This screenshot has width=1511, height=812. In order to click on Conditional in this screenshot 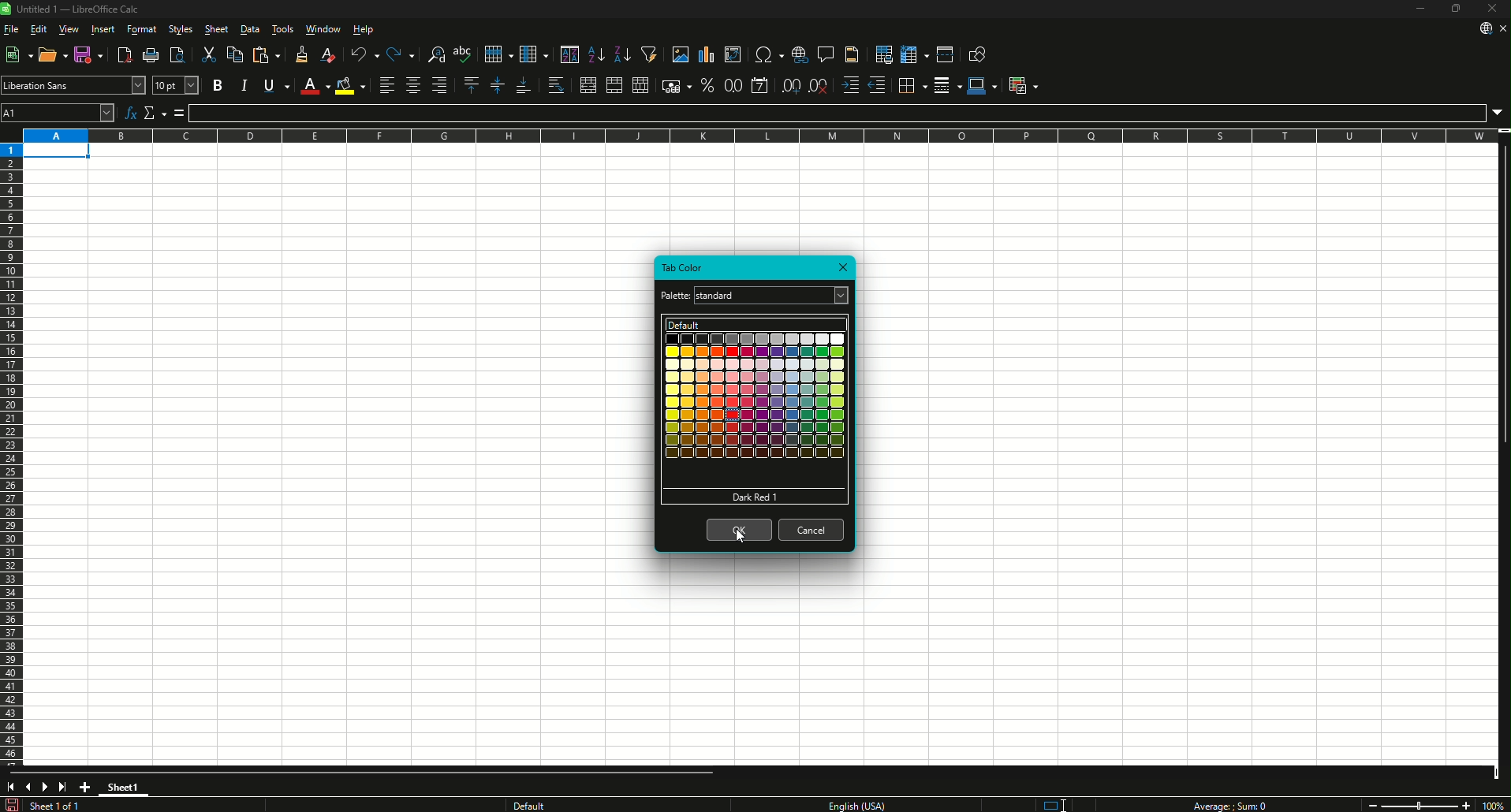, I will do `click(1023, 86)`.